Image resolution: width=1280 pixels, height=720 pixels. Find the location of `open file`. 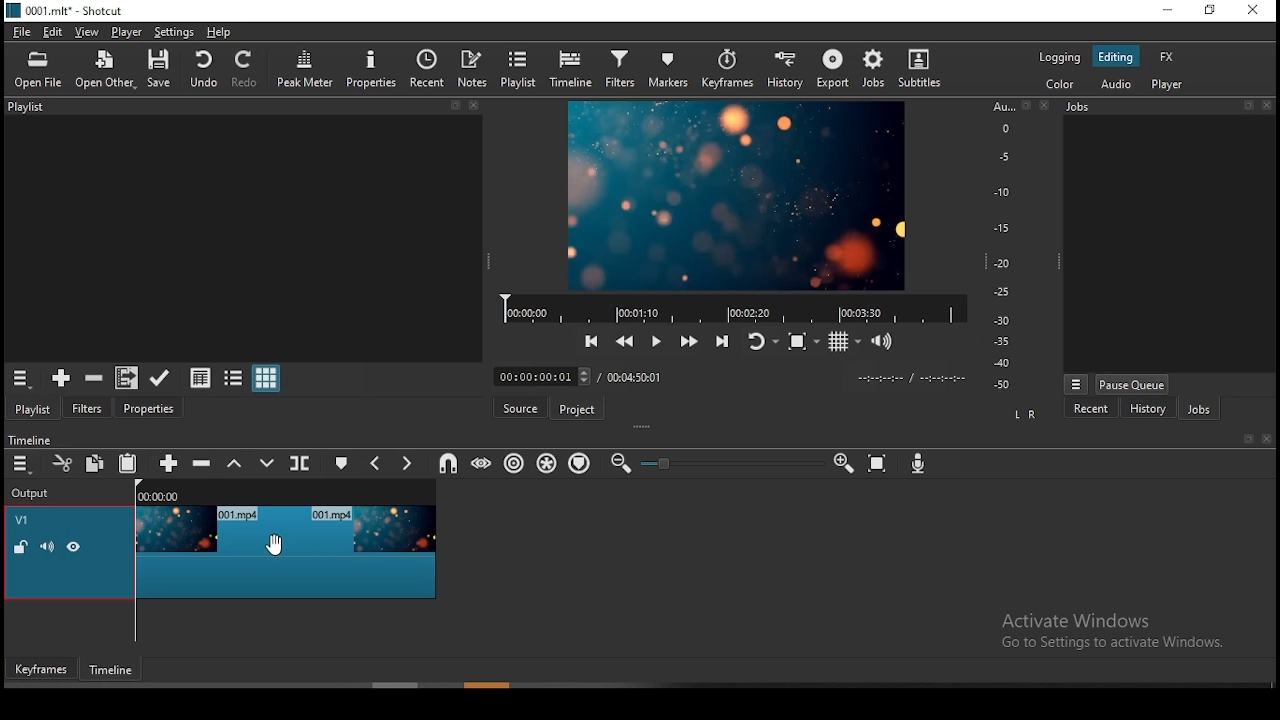

open file is located at coordinates (40, 70).